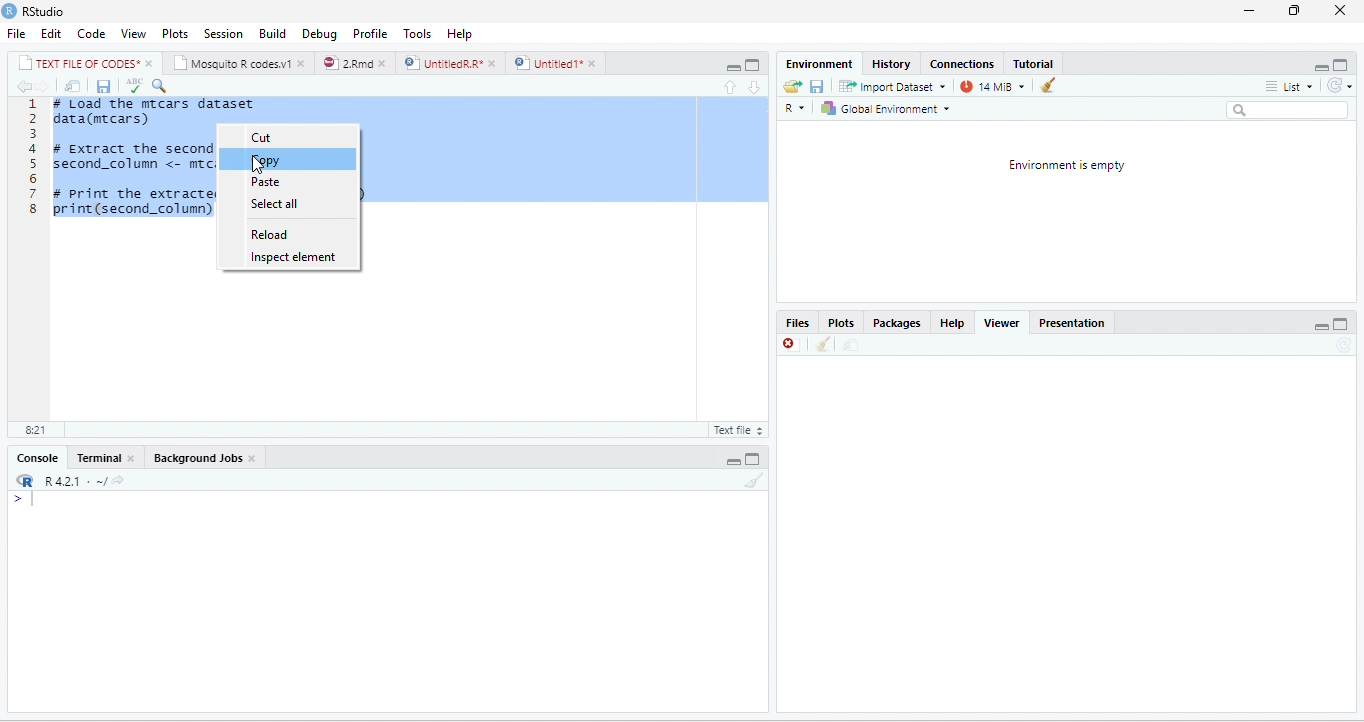  Describe the element at coordinates (163, 85) in the screenshot. I see `serach` at that location.